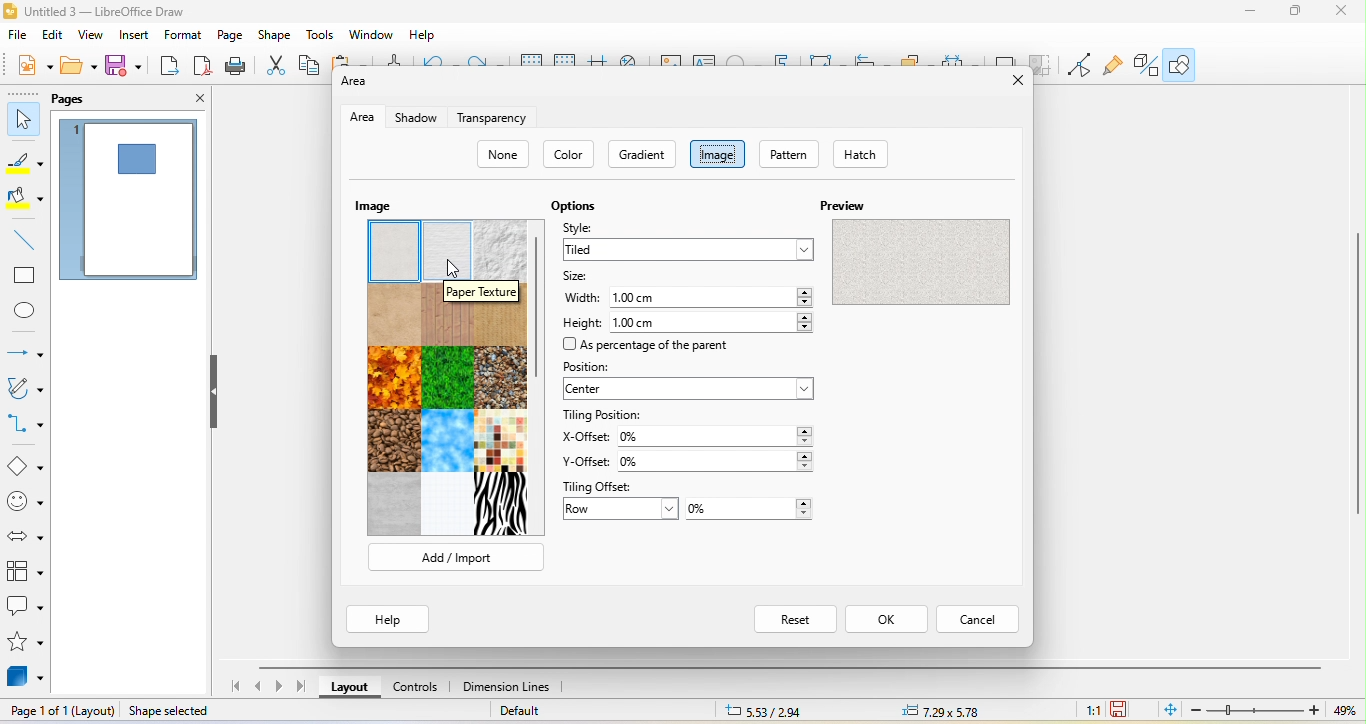 Image resolution: width=1366 pixels, height=724 pixels. Describe the element at coordinates (542, 305) in the screenshot. I see `vertical scroll bar` at that location.